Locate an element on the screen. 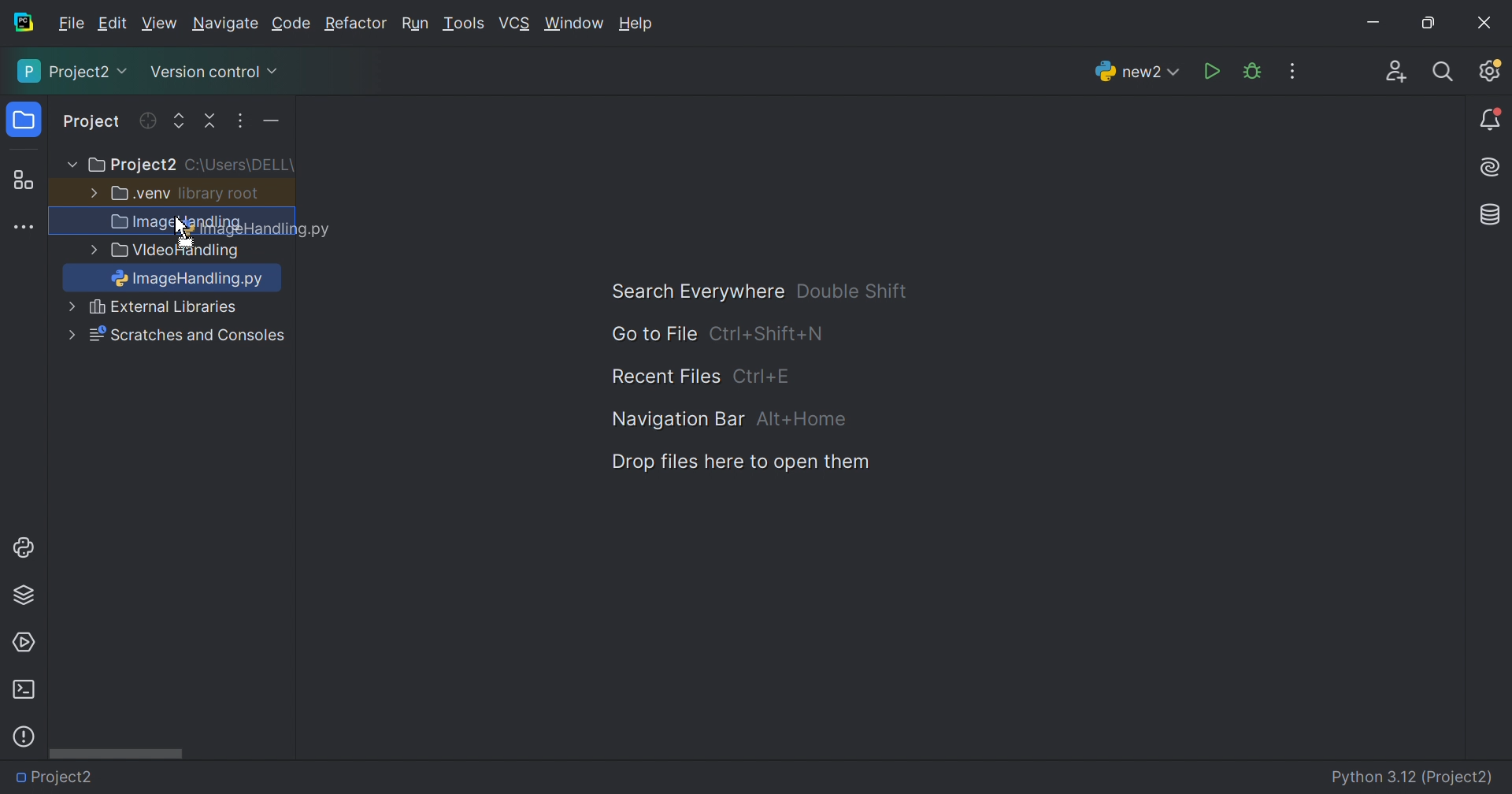 This screenshot has height=794, width=1512. More is located at coordinates (69, 165).